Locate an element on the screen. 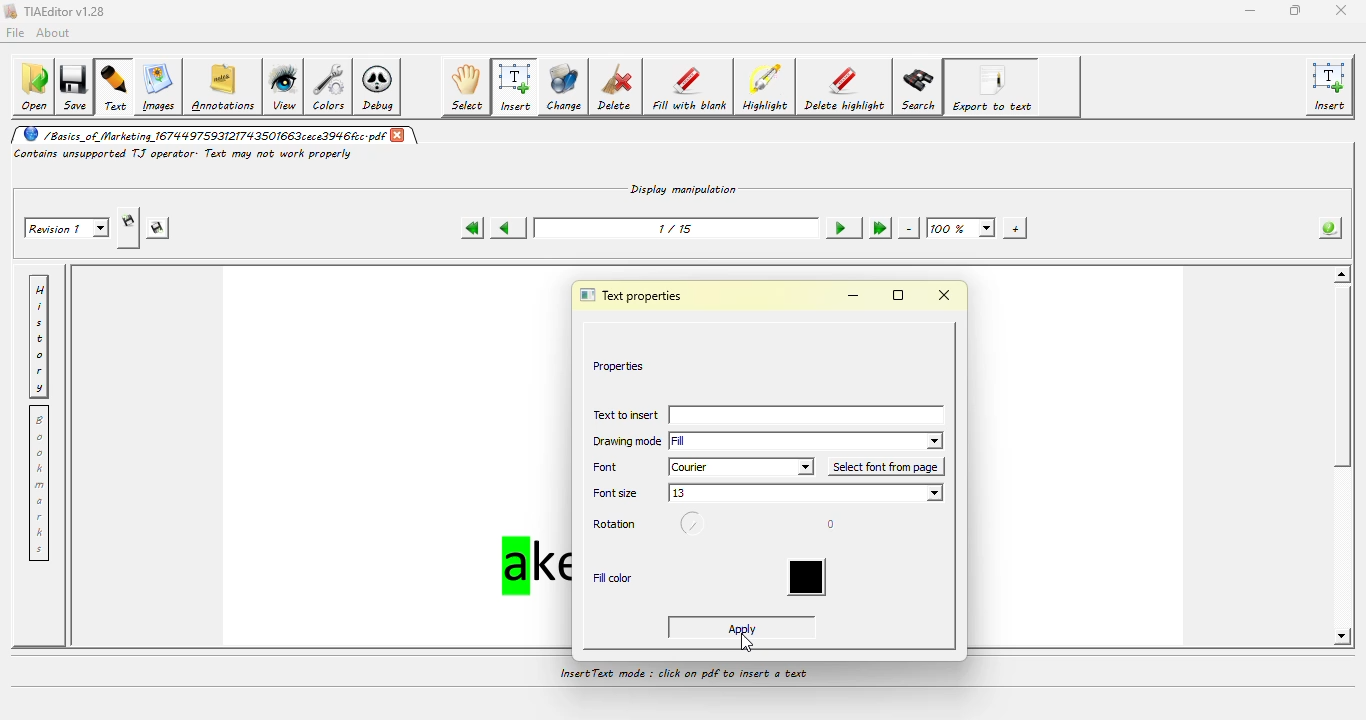 Image resolution: width=1366 pixels, height=720 pixels. Select font from page is located at coordinates (886, 467).